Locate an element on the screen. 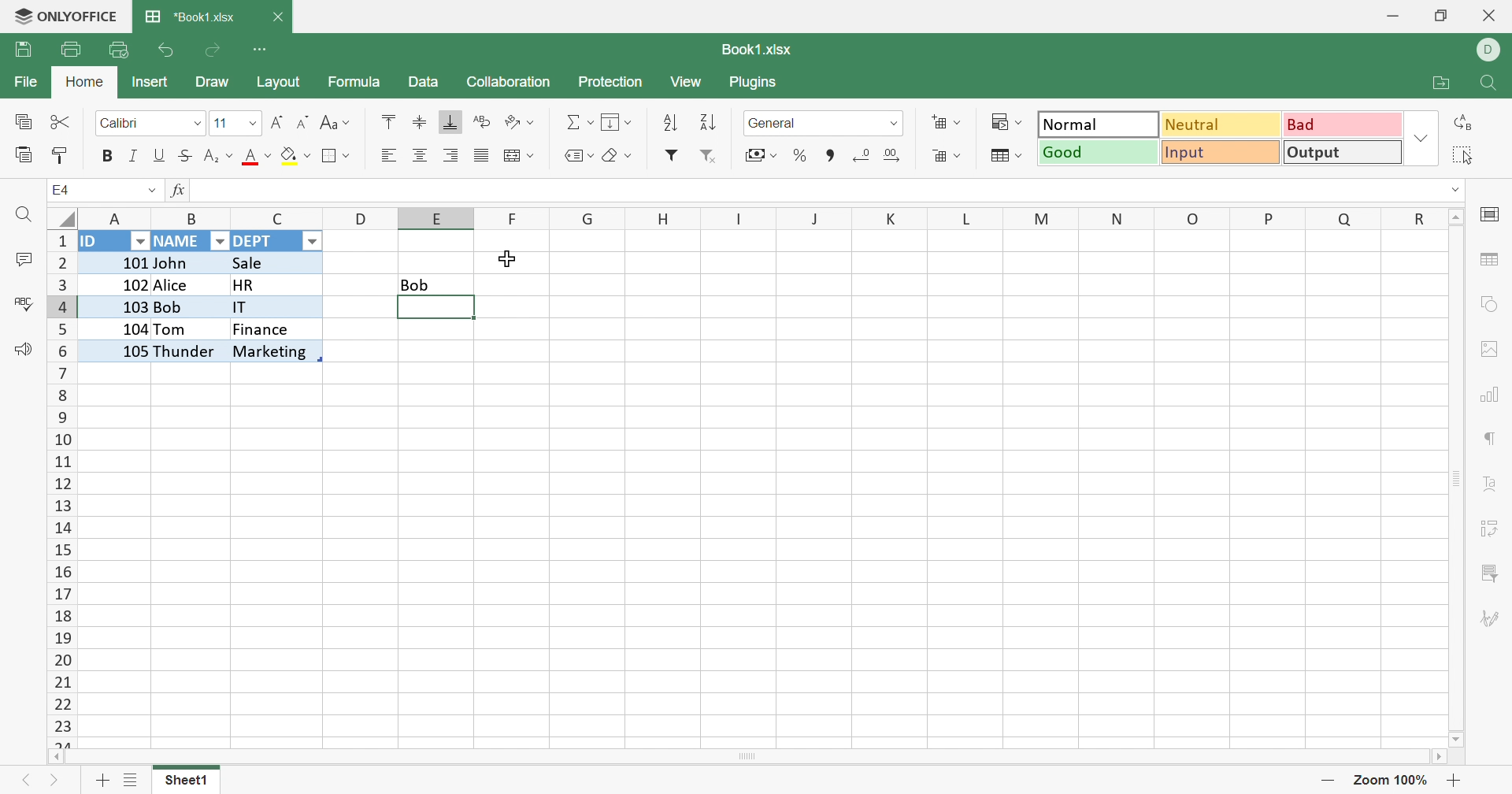 Image resolution: width=1512 pixels, height=794 pixels. Next is located at coordinates (55, 781).